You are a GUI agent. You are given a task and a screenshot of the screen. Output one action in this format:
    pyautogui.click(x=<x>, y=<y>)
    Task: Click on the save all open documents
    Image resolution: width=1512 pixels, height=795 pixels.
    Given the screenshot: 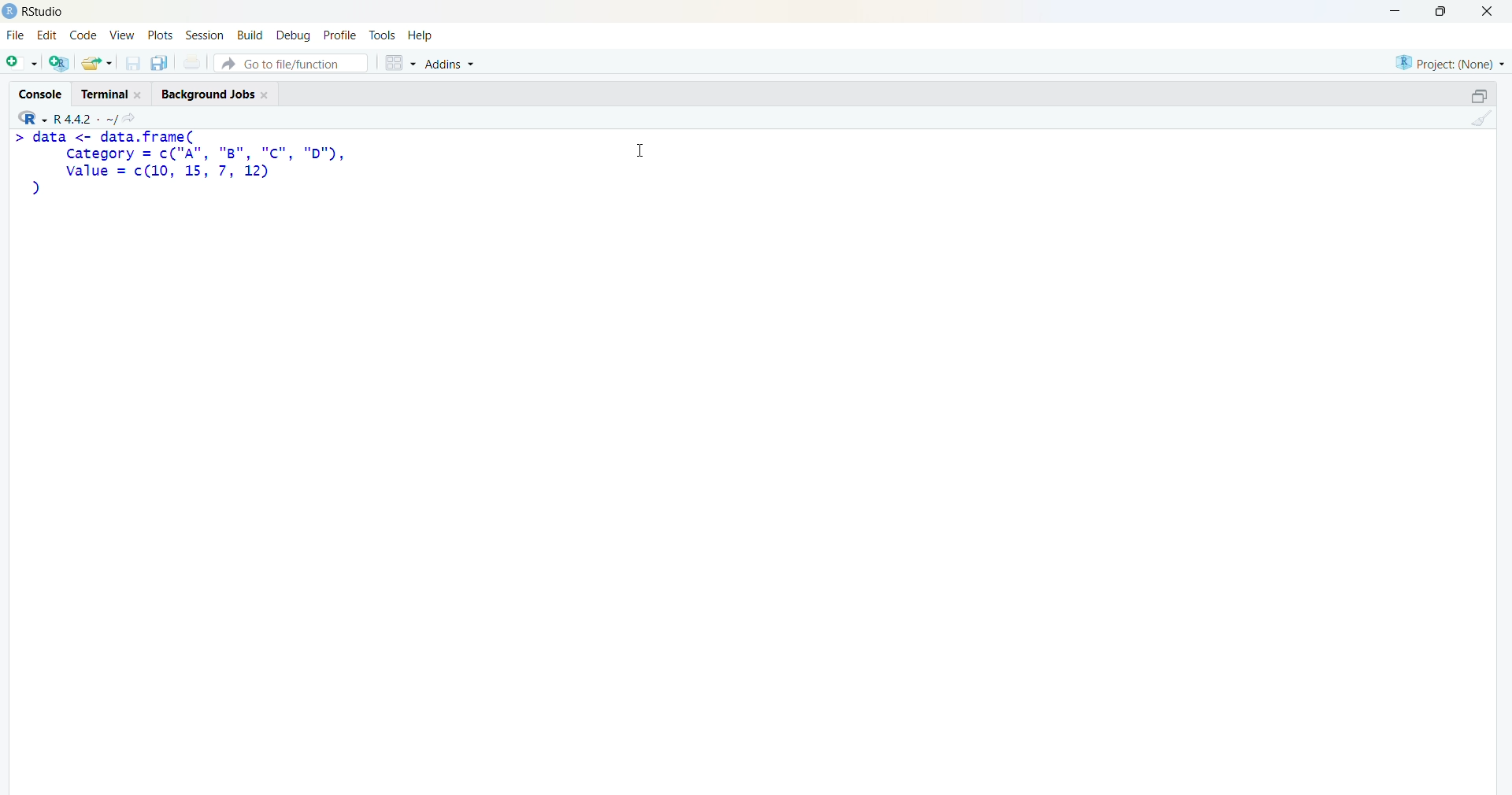 What is the action you would take?
    pyautogui.click(x=158, y=63)
    